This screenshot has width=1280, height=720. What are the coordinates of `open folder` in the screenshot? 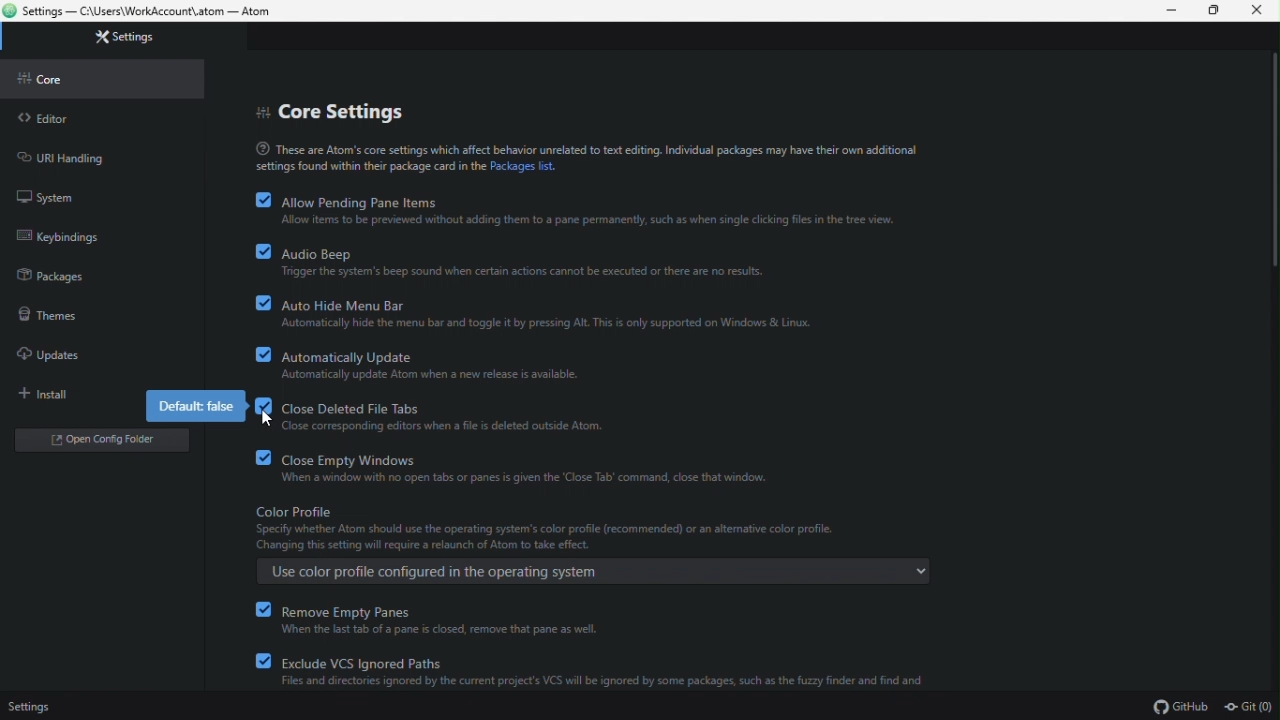 It's located at (91, 440).